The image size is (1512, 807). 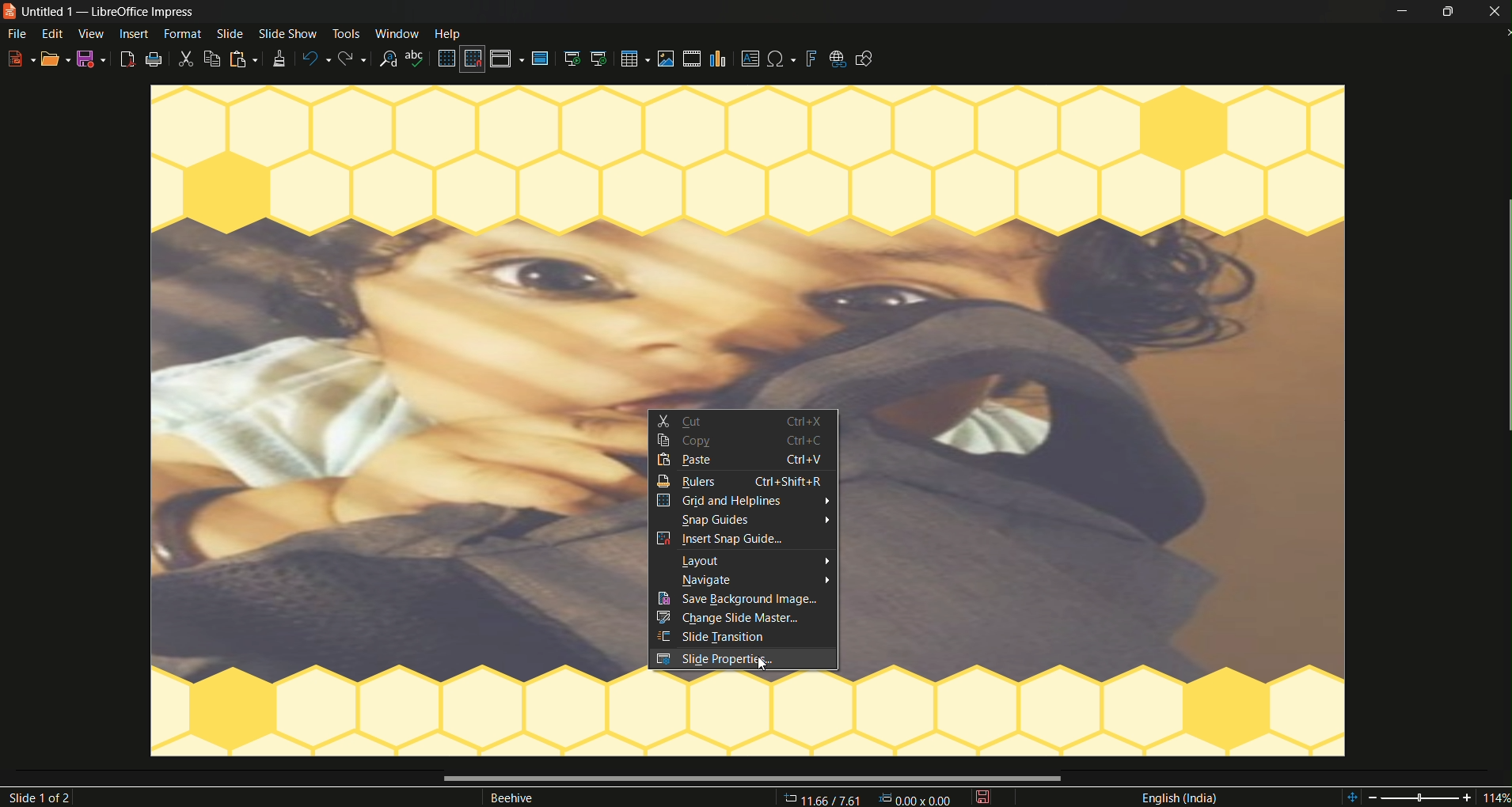 What do you see at coordinates (212, 59) in the screenshot?
I see `copy` at bounding box center [212, 59].